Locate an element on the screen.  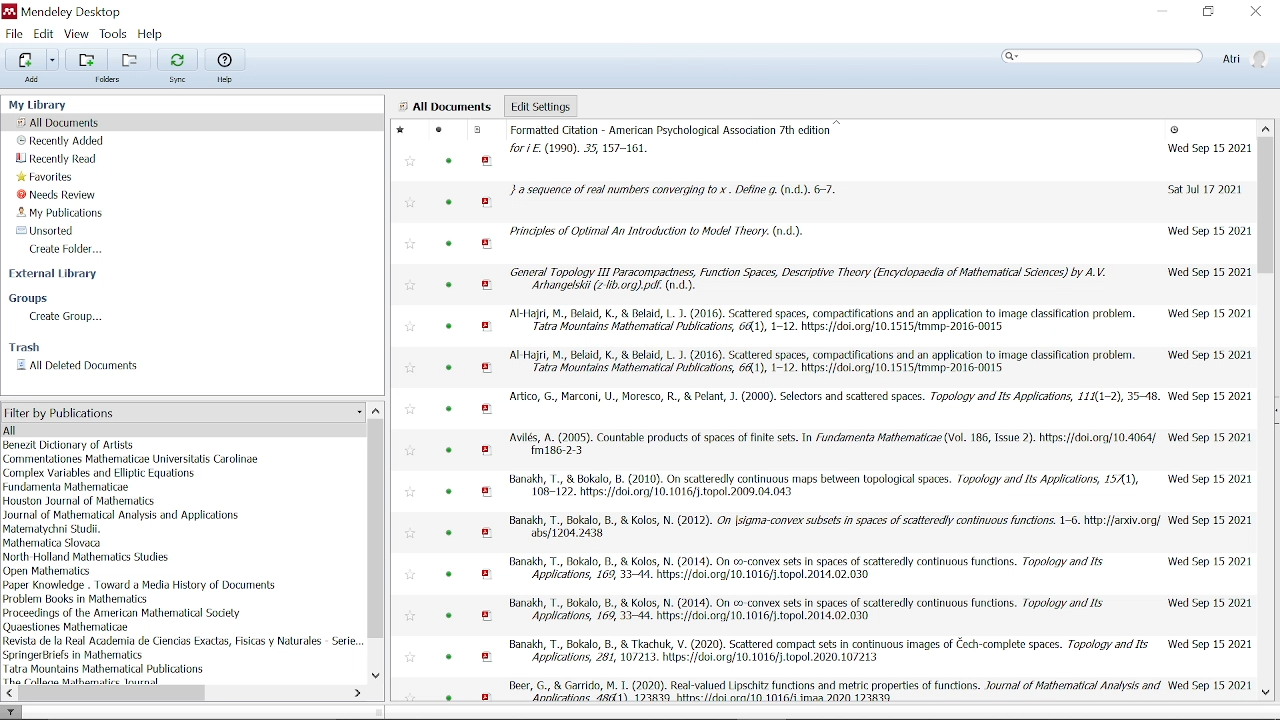
Help is located at coordinates (224, 58).